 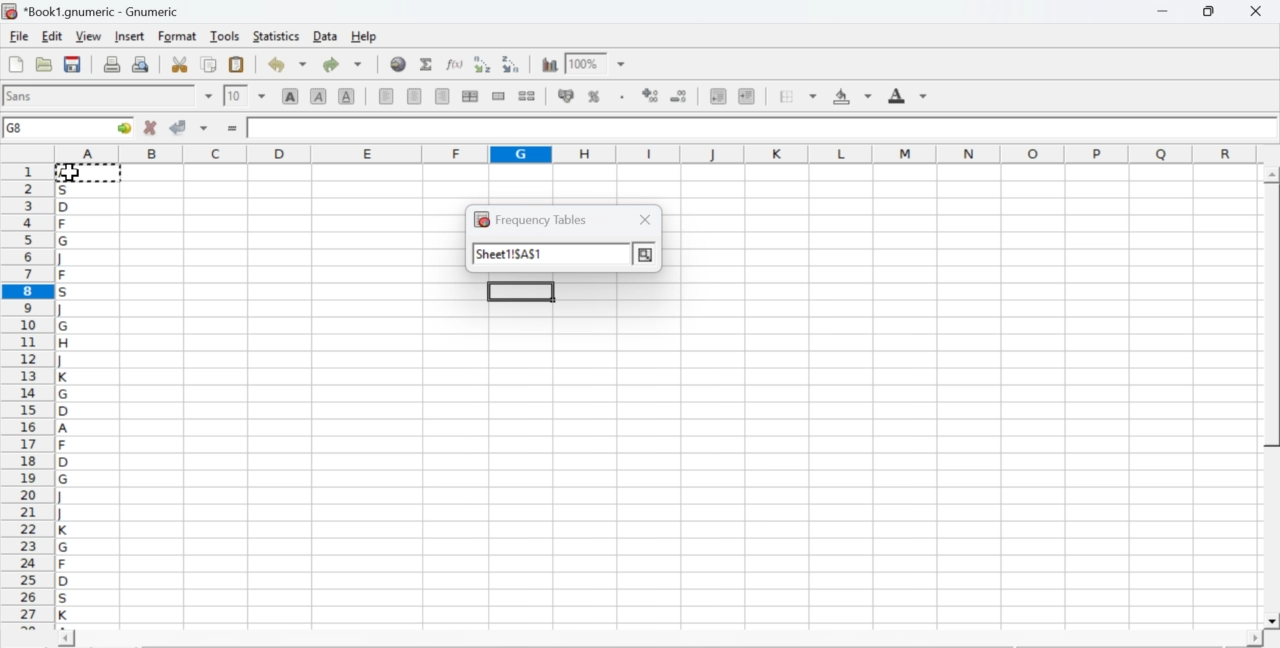 What do you see at coordinates (1272, 398) in the screenshot?
I see `scroll bar` at bounding box center [1272, 398].